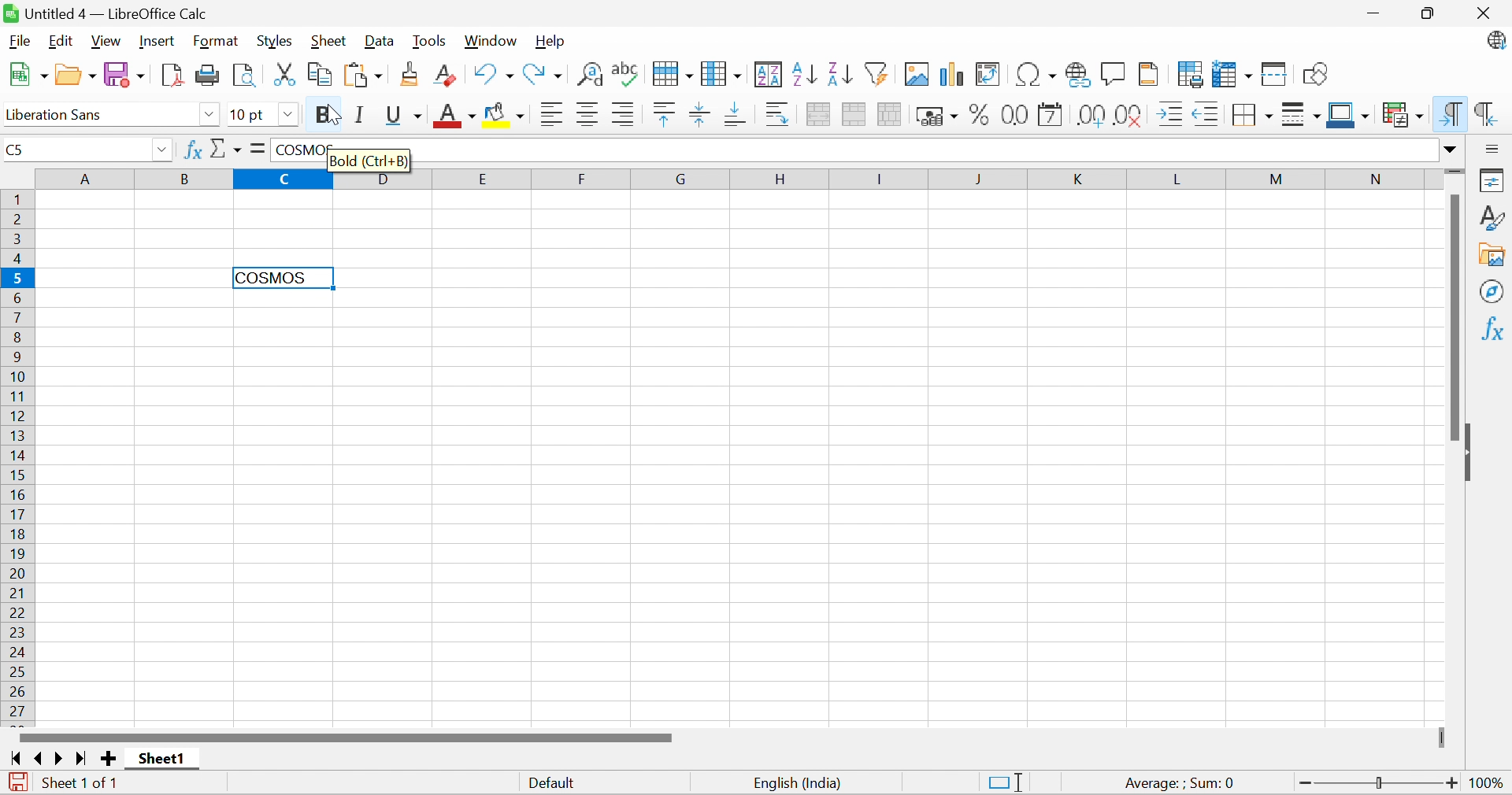 The height and width of the screenshot is (795, 1512). I want to click on Function Wizard, so click(193, 153).